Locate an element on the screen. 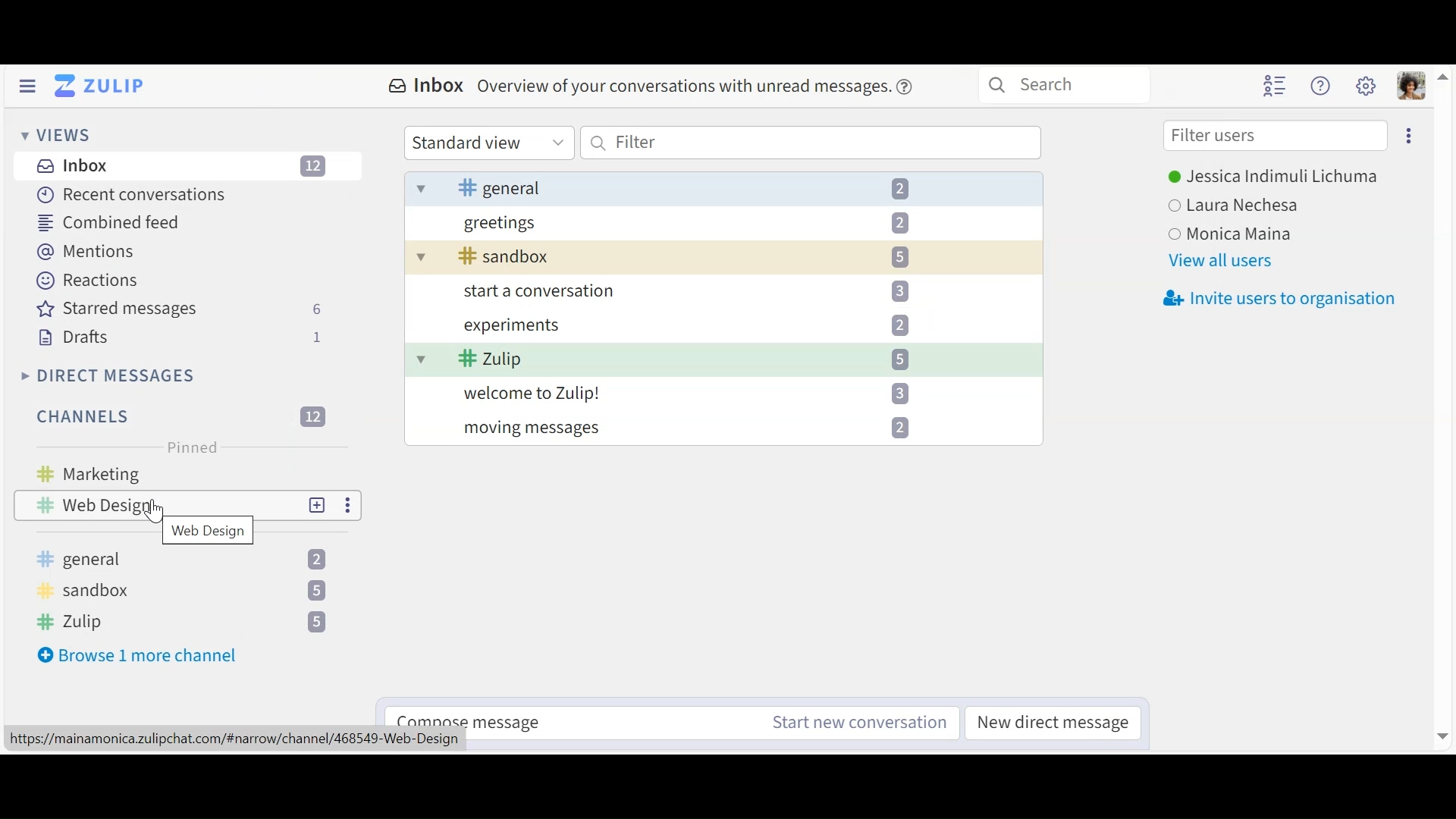  Hide Side Pane is located at coordinates (24, 86).